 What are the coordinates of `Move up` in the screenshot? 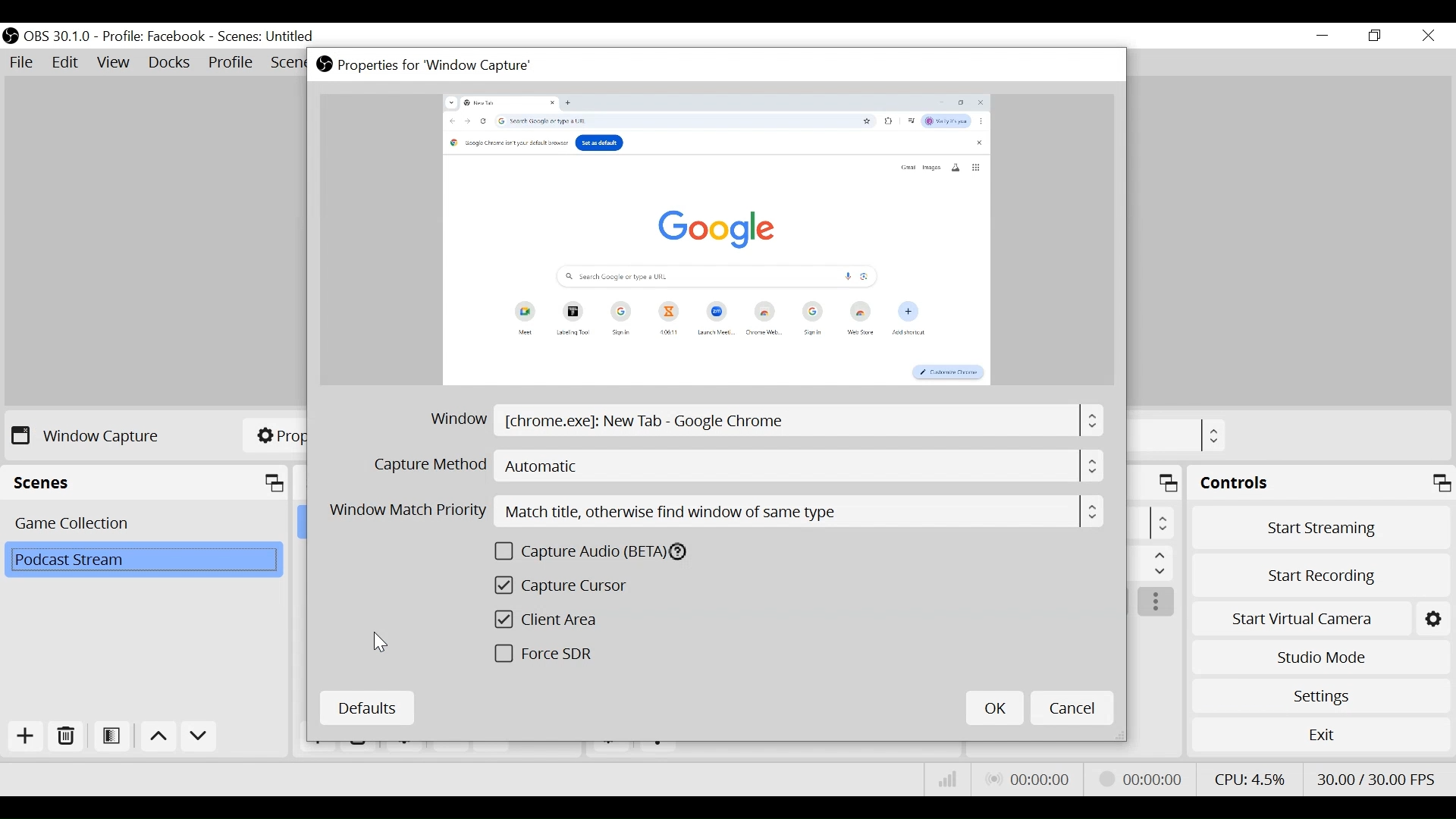 It's located at (157, 737).